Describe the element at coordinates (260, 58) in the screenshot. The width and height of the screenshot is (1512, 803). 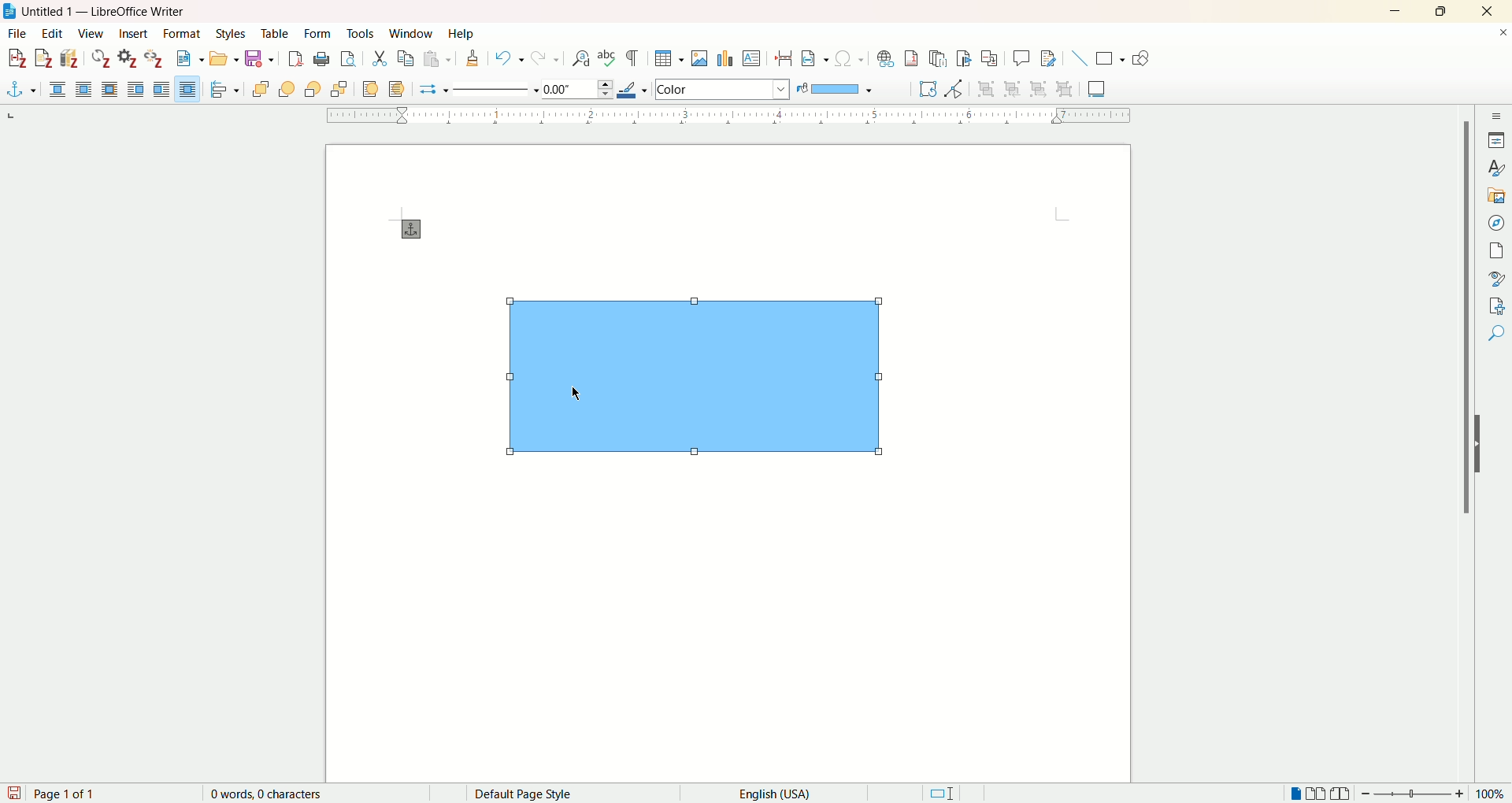
I see `save` at that location.